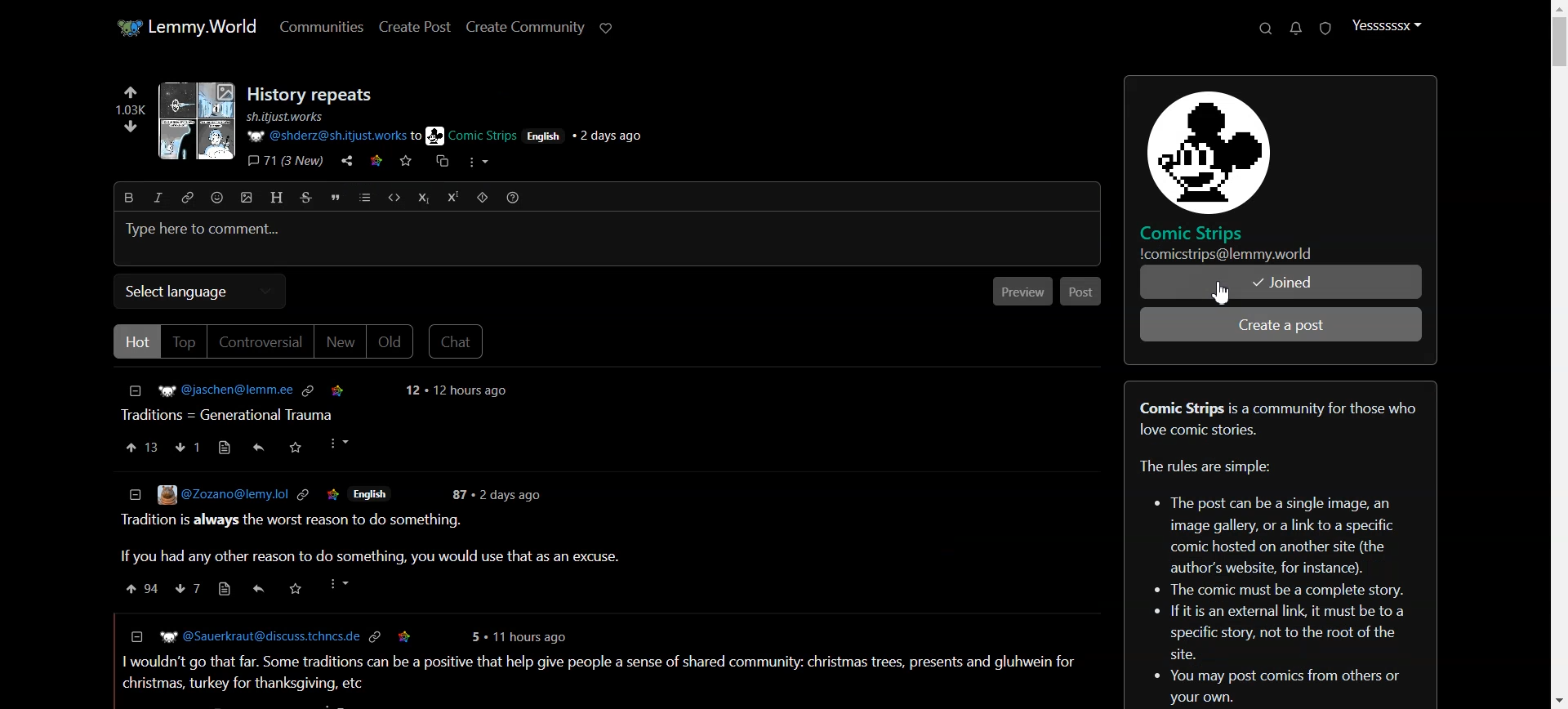  I want to click on Hot, so click(135, 341).